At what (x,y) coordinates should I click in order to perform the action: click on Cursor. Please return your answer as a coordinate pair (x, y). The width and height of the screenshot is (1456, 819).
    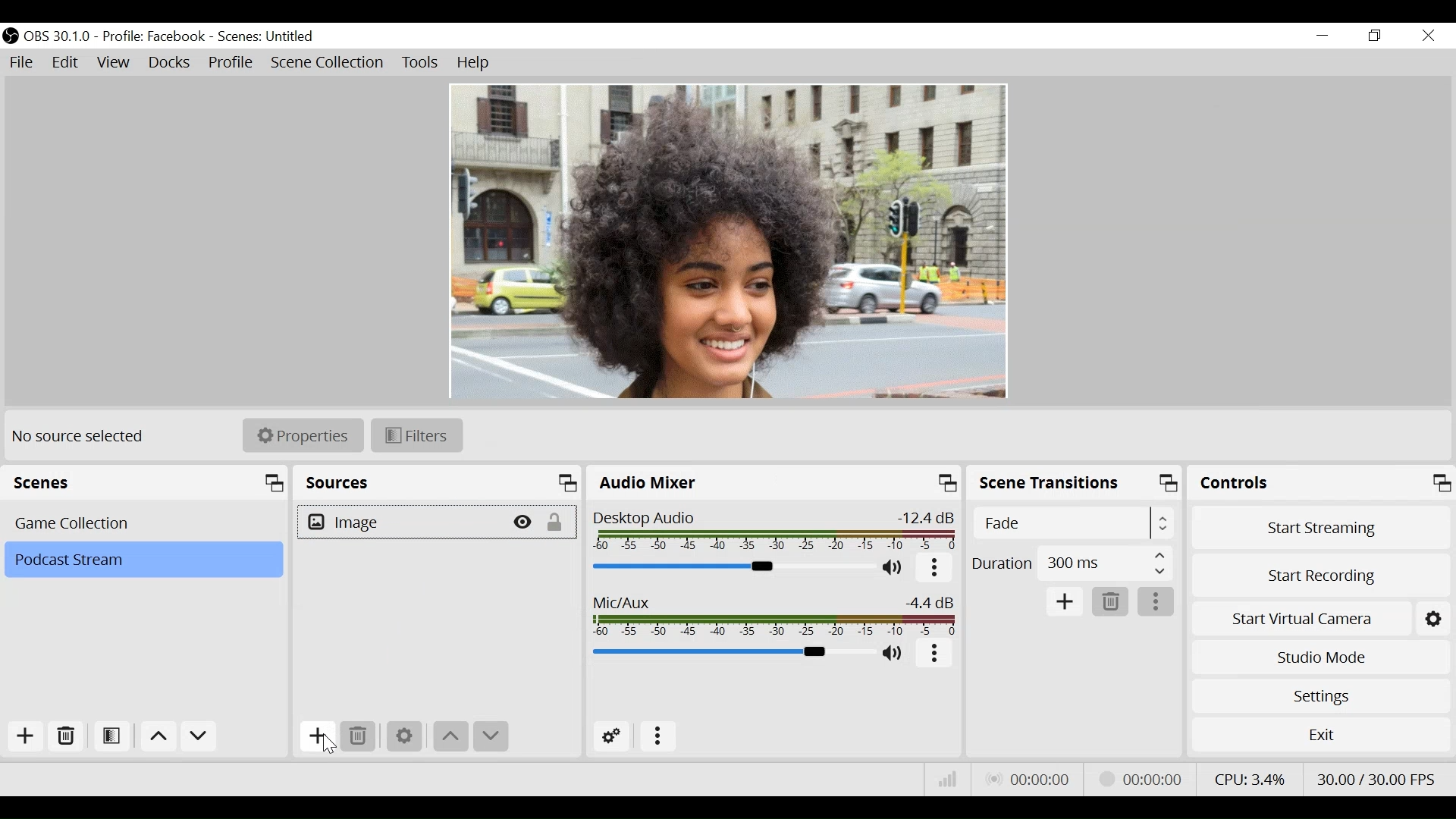
    Looking at the image, I should click on (324, 747).